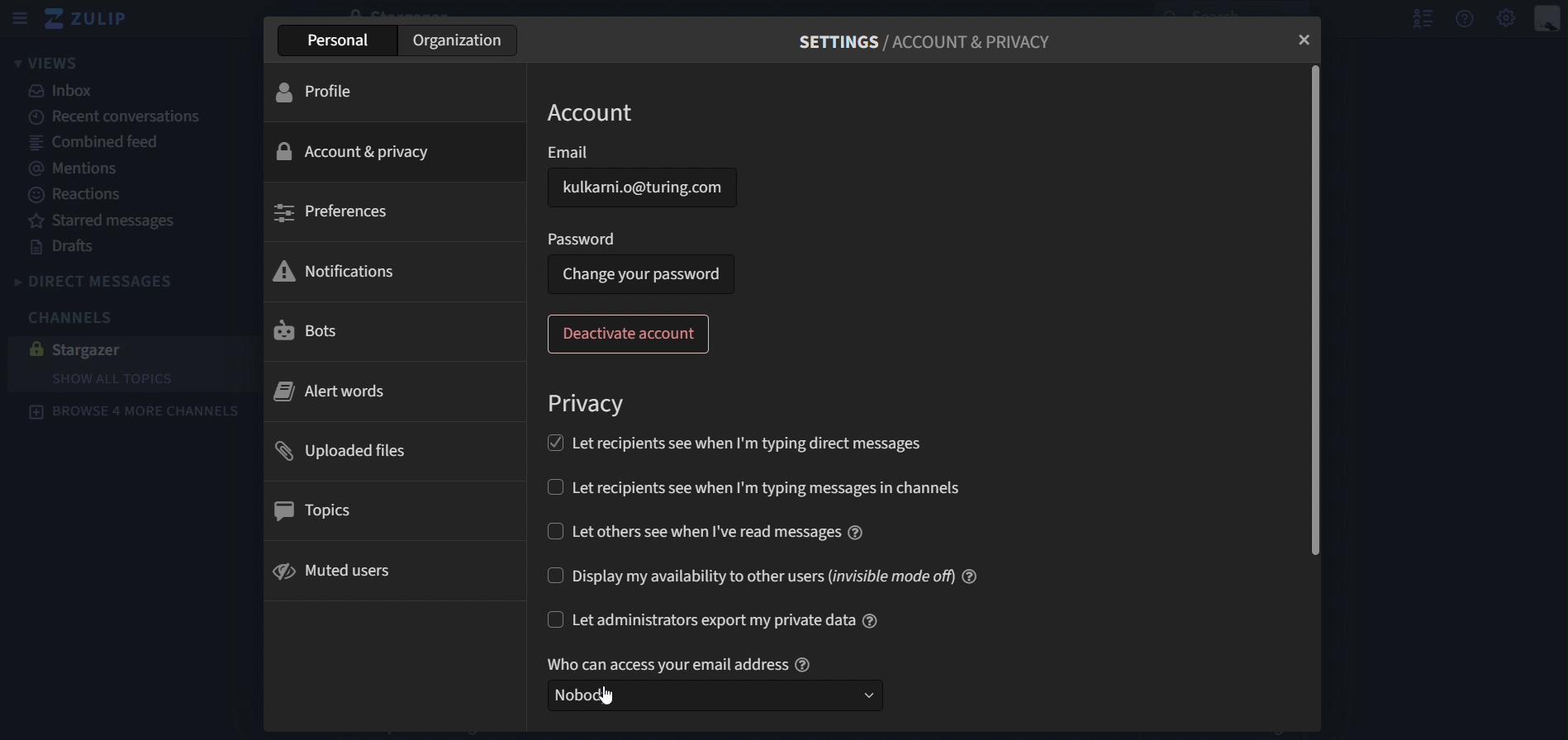 This screenshot has height=740, width=1568. Describe the element at coordinates (111, 221) in the screenshot. I see `starred messages` at that location.